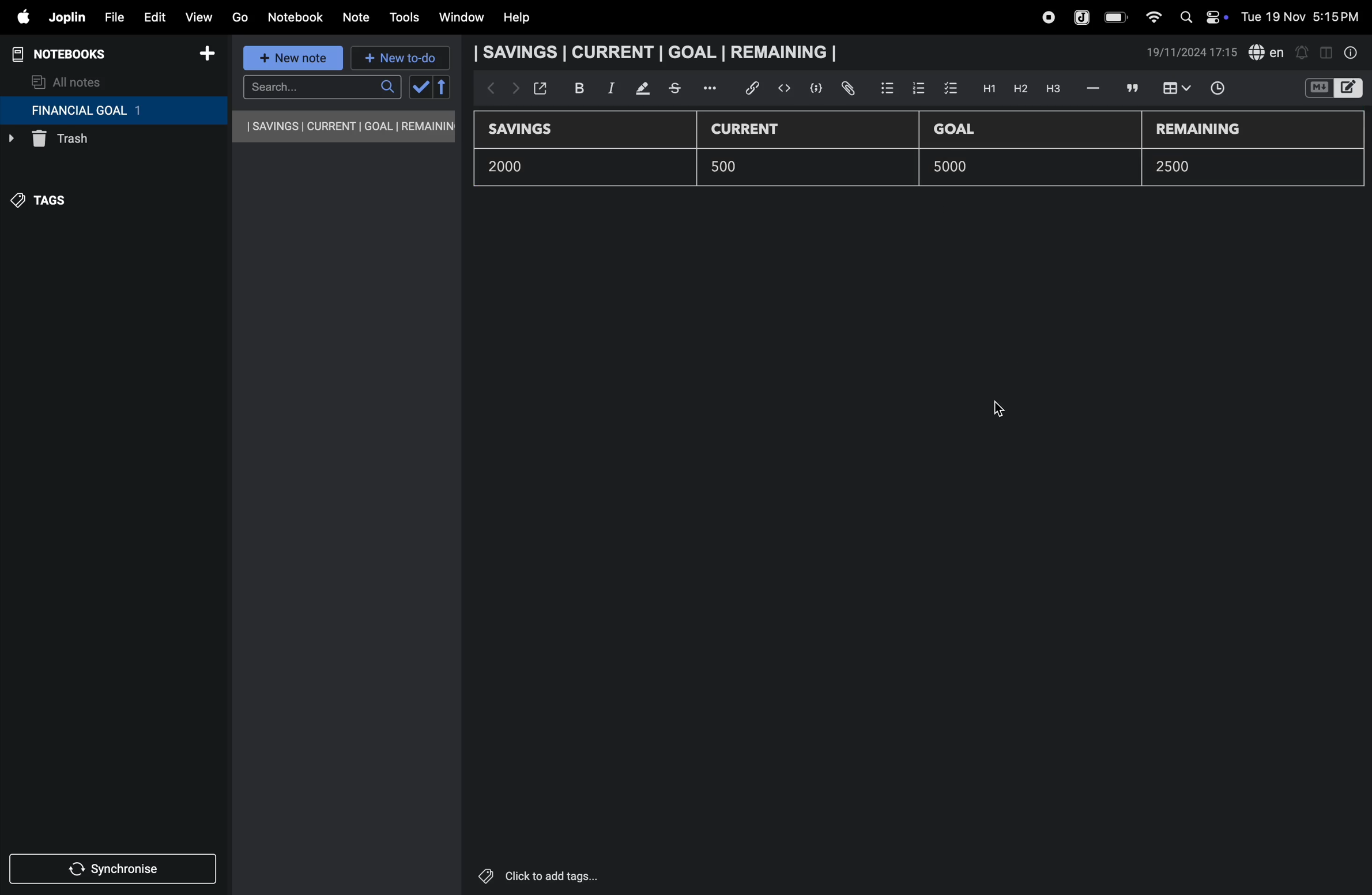 The width and height of the screenshot is (1372, 895). I want to click on mark, so click(638, 89).